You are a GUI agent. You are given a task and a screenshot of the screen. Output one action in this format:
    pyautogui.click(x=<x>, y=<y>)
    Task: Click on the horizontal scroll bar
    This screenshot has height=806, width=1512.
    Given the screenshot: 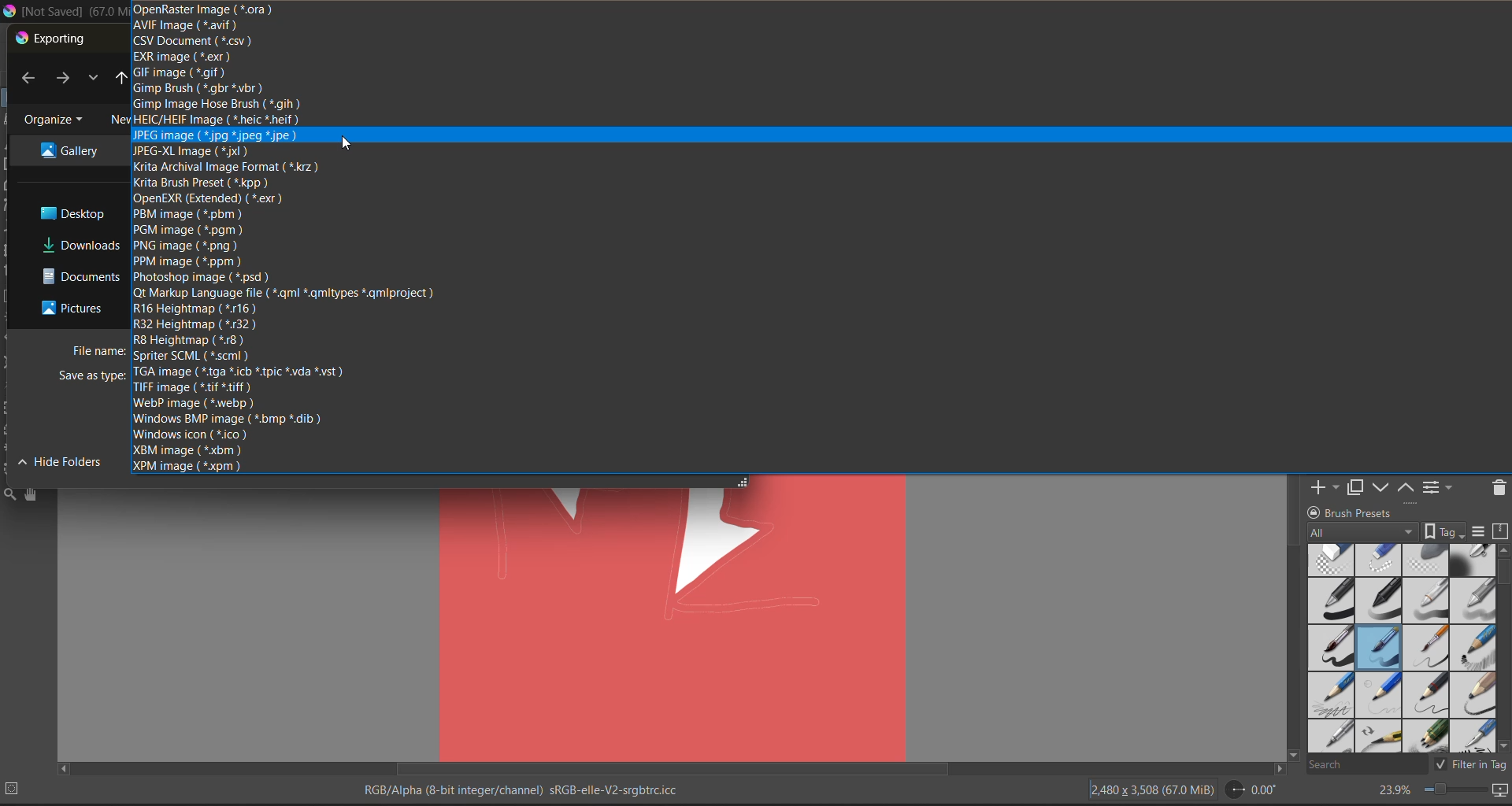 What is the action you would take?
    pyautogui.click(x=672, y=769)
    